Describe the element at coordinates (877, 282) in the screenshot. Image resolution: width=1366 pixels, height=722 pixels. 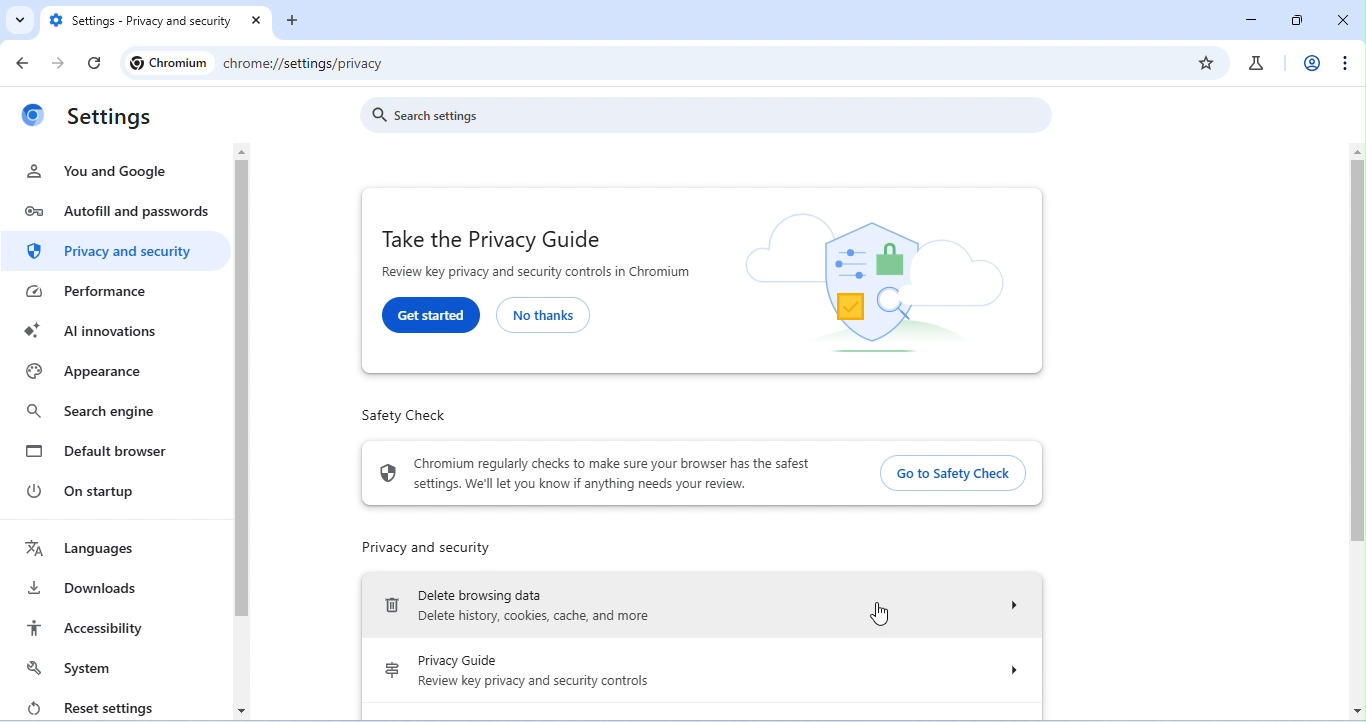
I see `privacy guide icon` at that location.